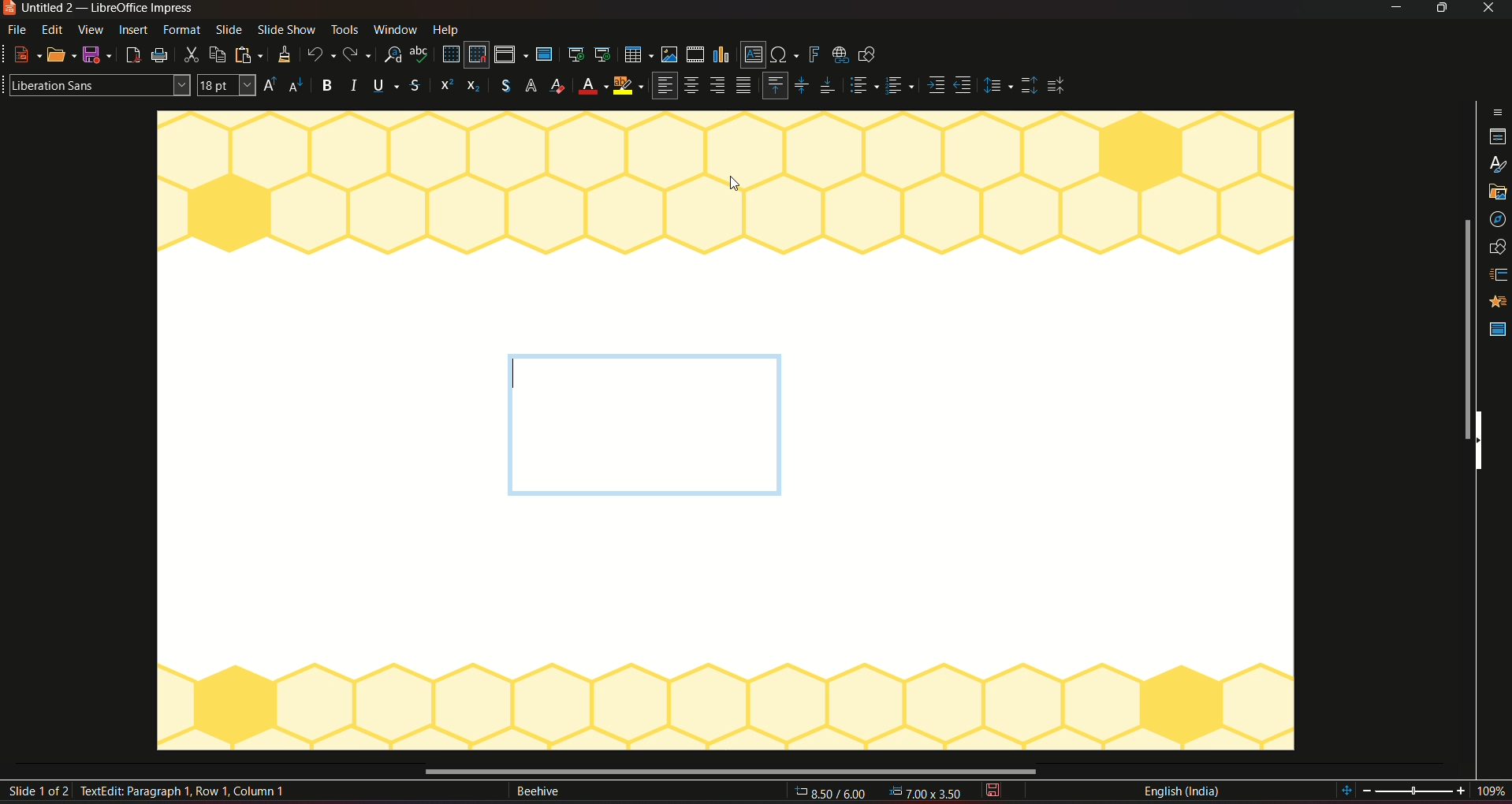 This screenshot has width=1512, height=804. I want to click on navigation, so click(1498, 189).